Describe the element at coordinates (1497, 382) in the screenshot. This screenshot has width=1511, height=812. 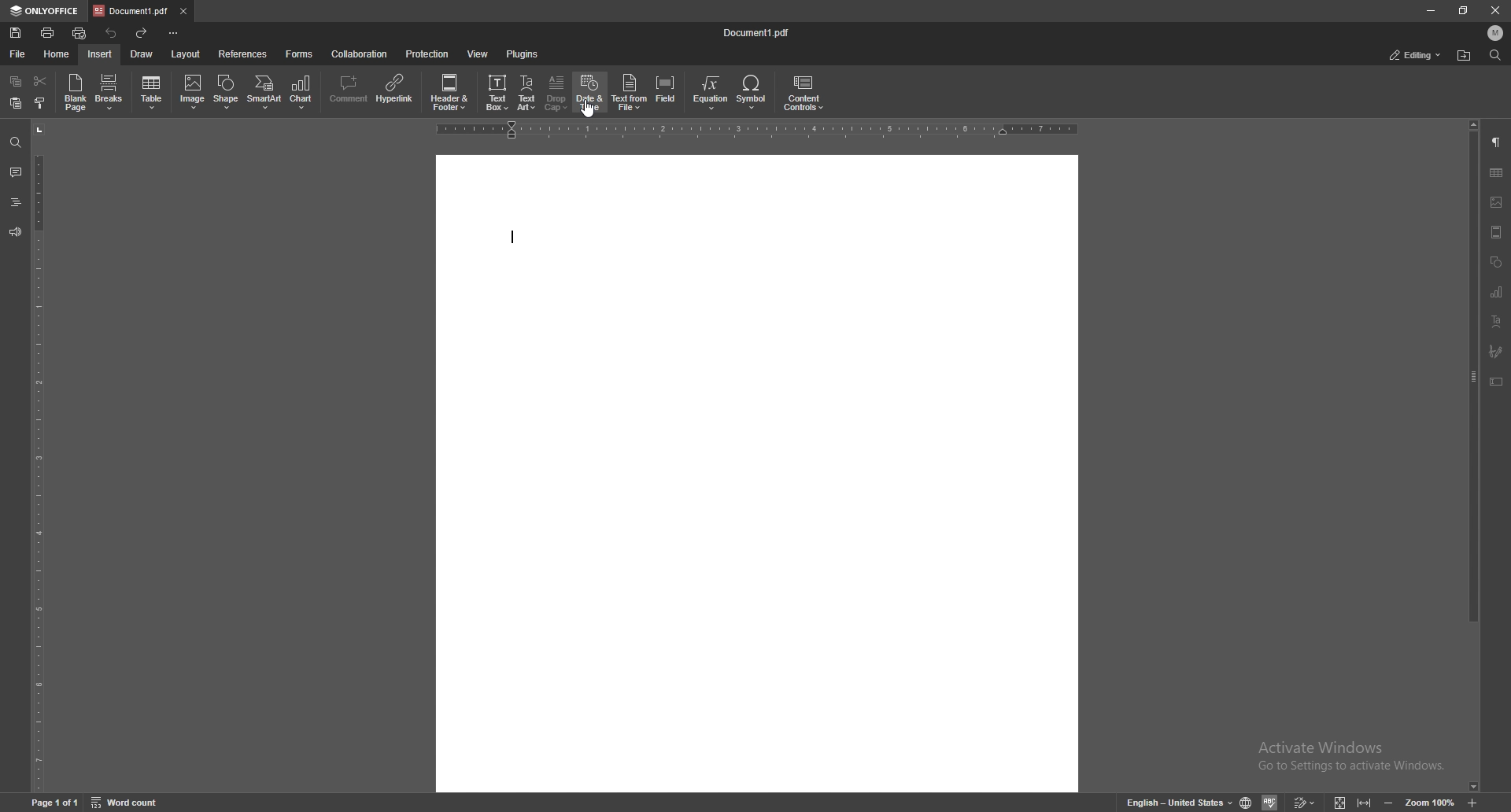
I see `text box` at that location.